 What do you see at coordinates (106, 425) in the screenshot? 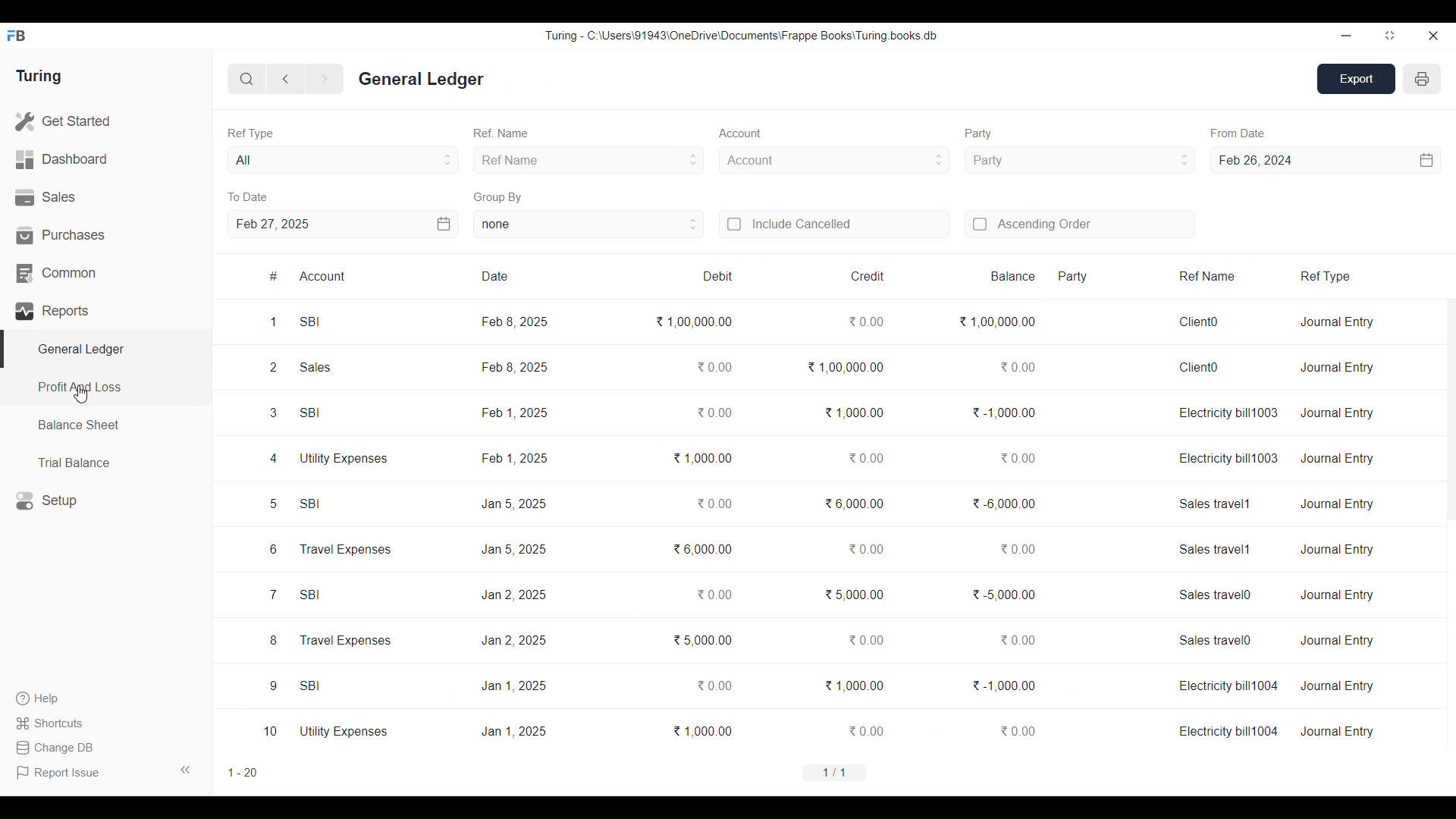
I see `Balance Sheet` at bounding box center [106, 425].